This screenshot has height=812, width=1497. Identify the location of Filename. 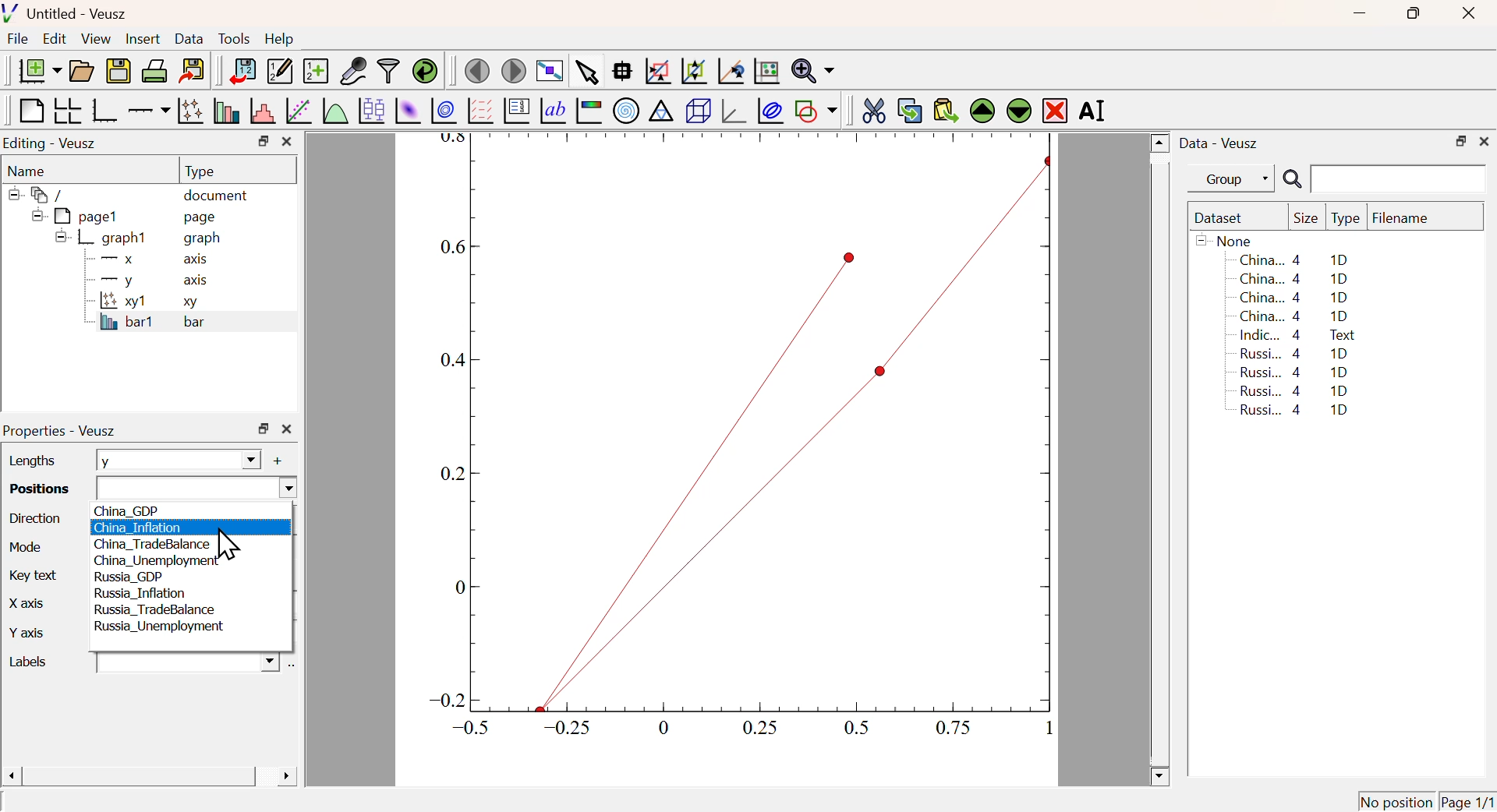
(1408, 219).